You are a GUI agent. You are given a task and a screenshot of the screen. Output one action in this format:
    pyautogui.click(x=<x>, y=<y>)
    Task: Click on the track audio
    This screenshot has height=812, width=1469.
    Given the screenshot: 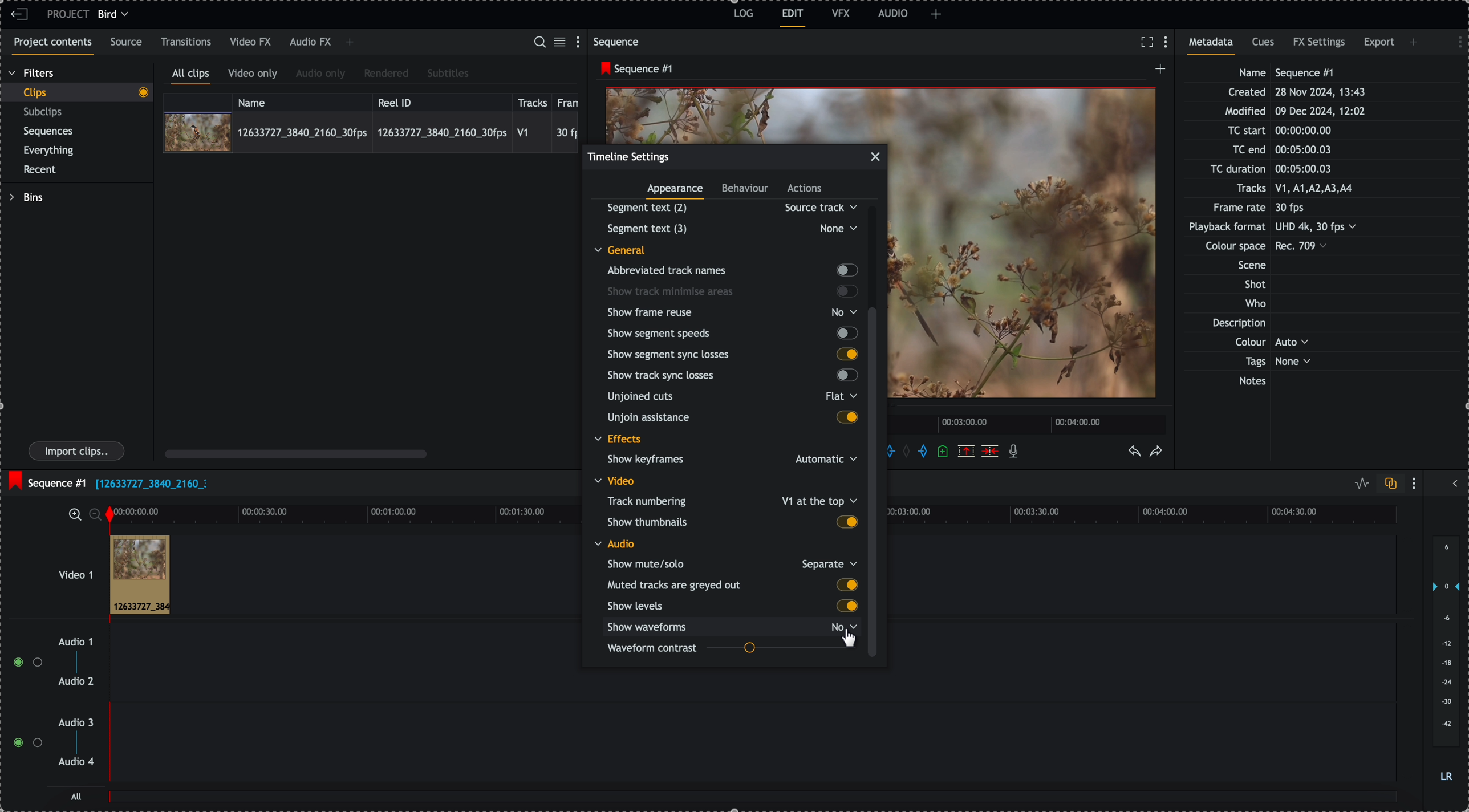 What is the action you would take?
    pyautogui.click(x=752, y=749)
    